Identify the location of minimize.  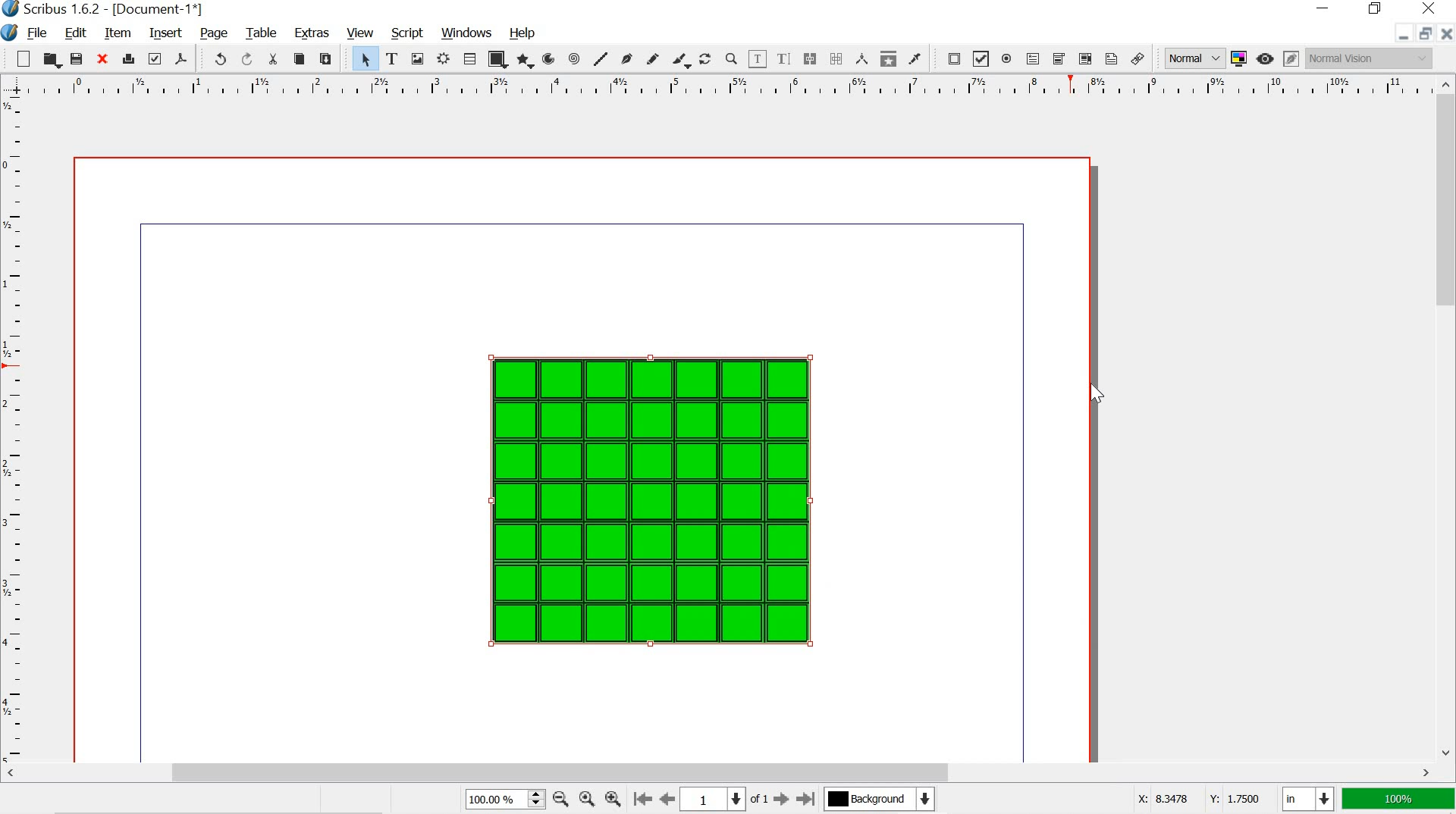
(1397, 36).